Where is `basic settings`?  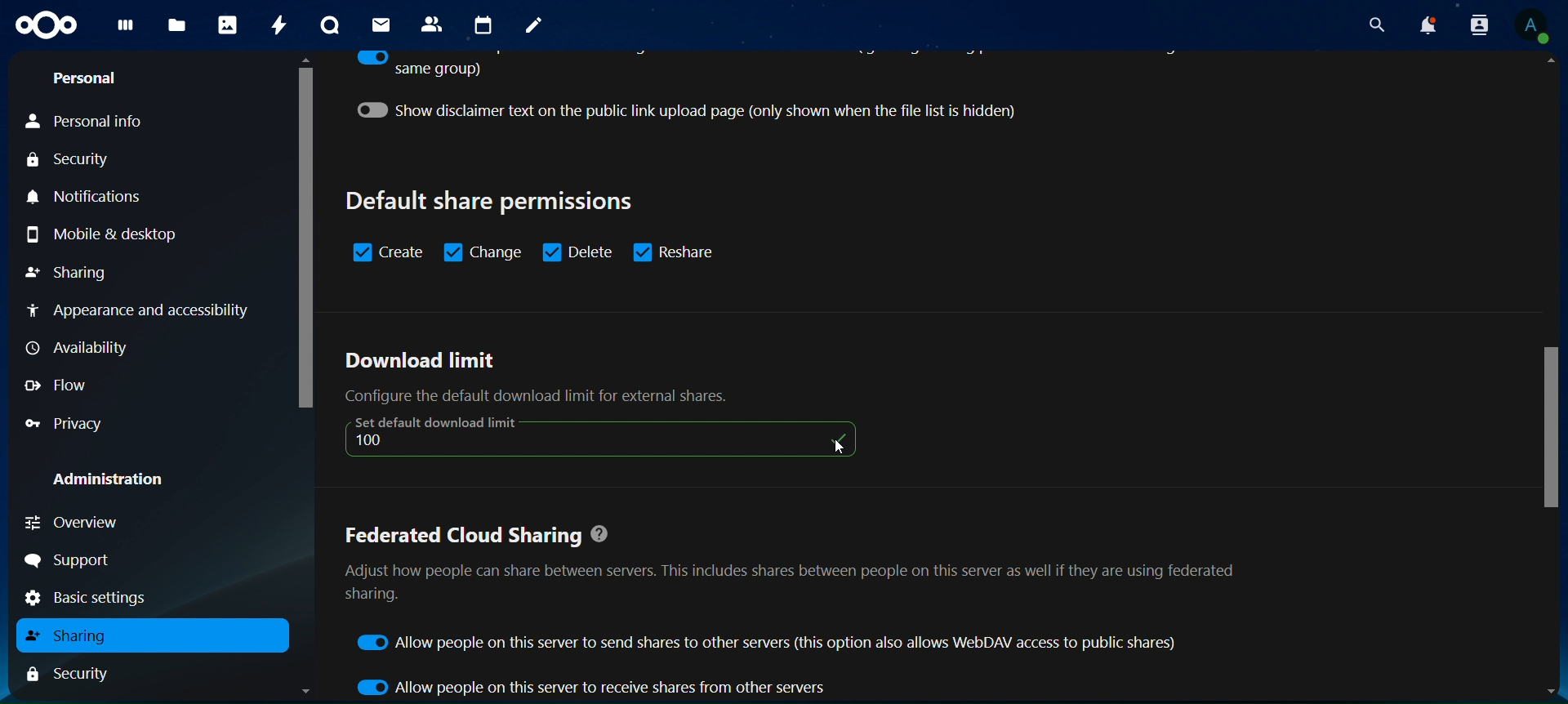 basic settings is located at coordinates (100, 599).